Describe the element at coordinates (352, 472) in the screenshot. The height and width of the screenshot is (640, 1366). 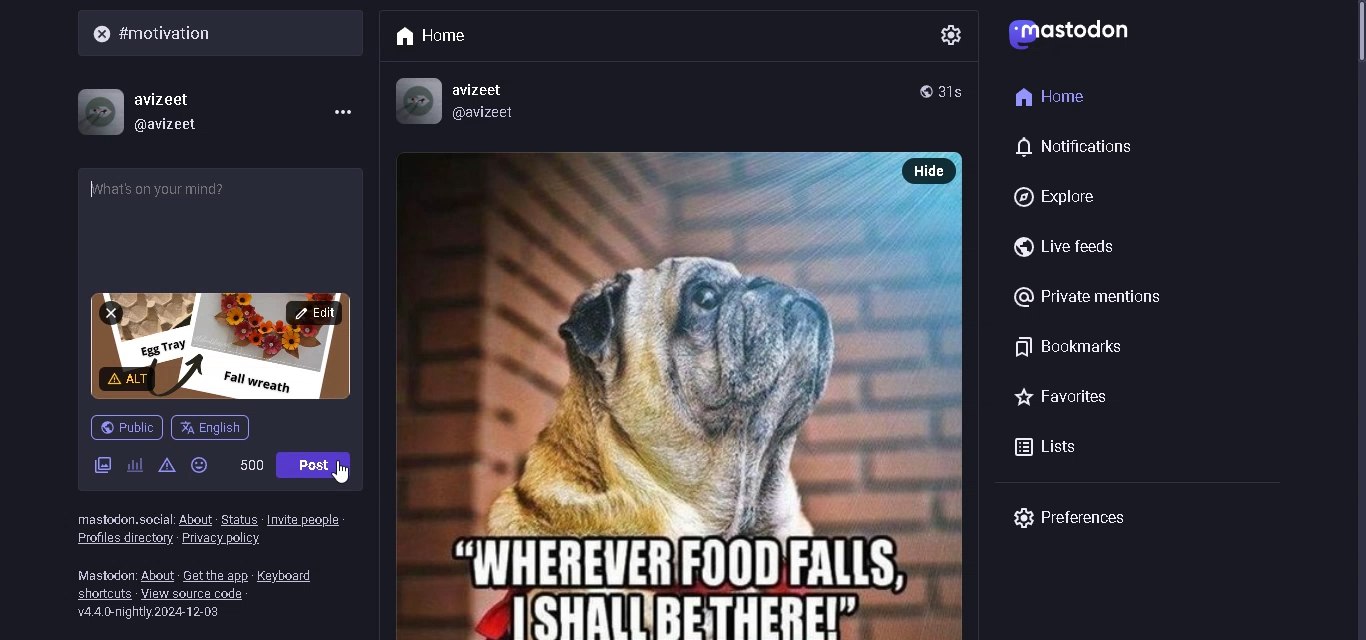
I see `Cursor` at that location.